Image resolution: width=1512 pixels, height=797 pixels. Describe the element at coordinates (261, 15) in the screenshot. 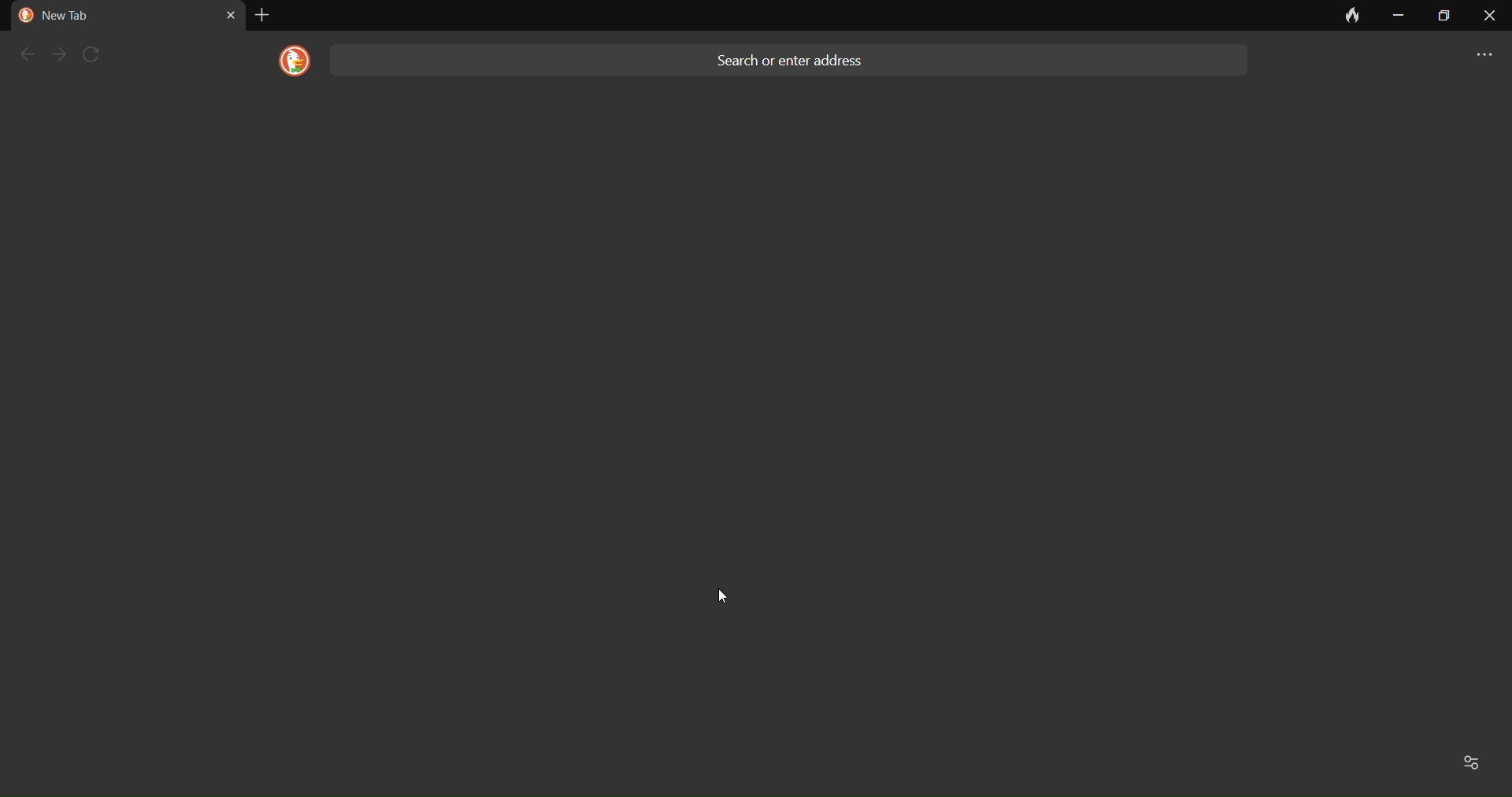

I see `add tab` at that location.